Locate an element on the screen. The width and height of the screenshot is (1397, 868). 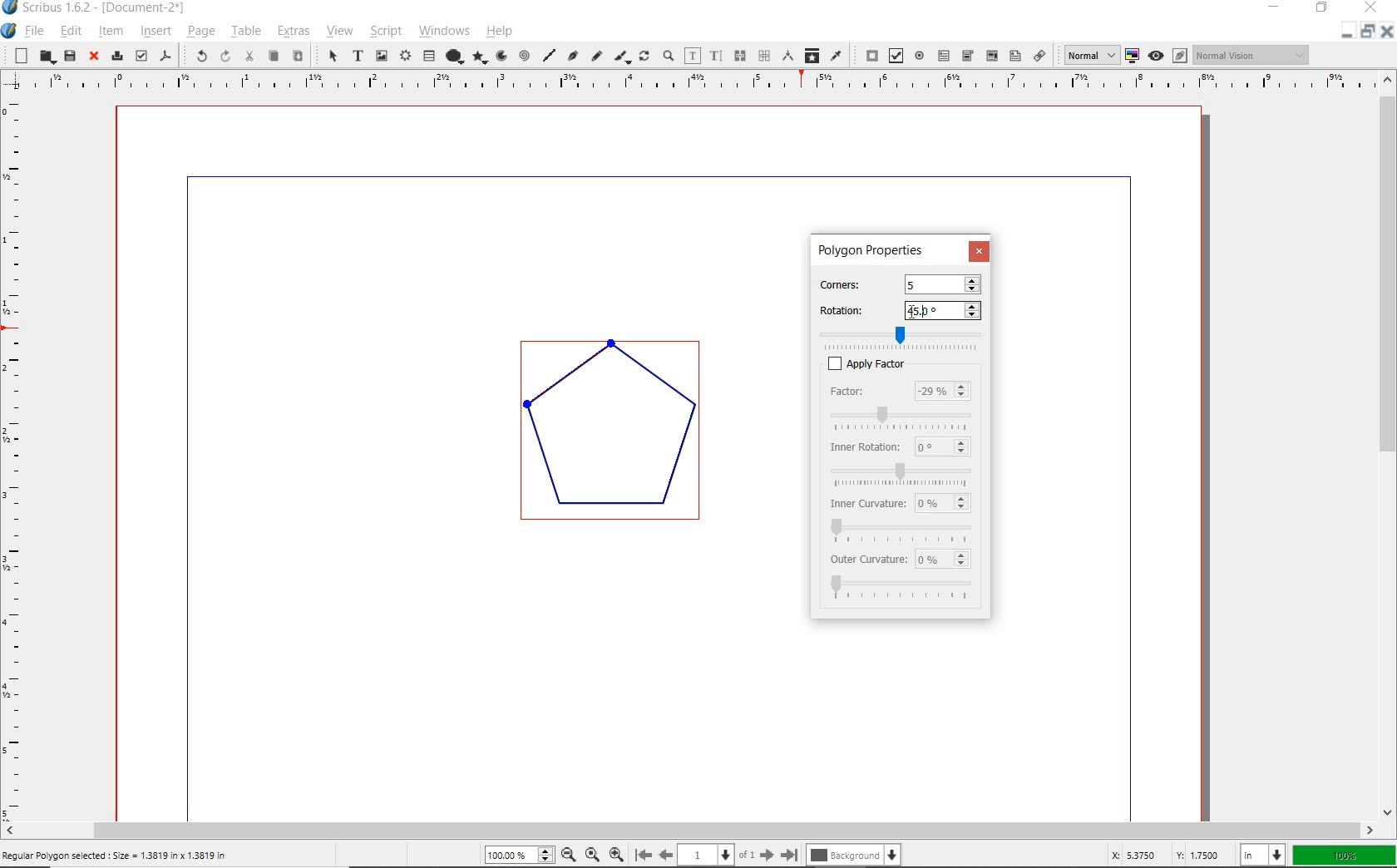
ROTATION is located at coordinates (854, 310).